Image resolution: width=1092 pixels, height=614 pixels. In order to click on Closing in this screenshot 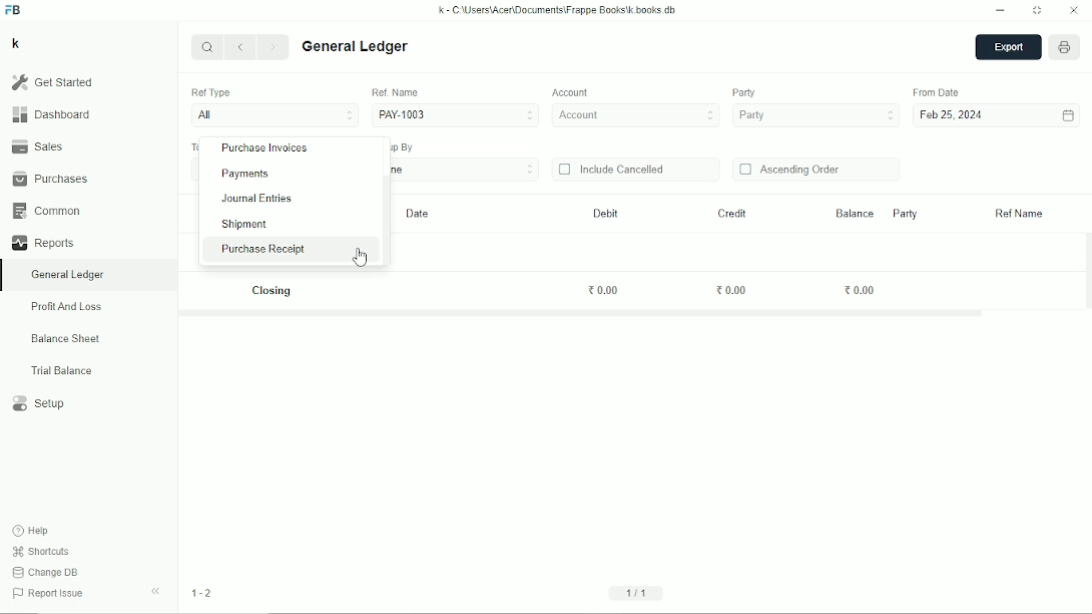, I will do `click(274, 291)`.